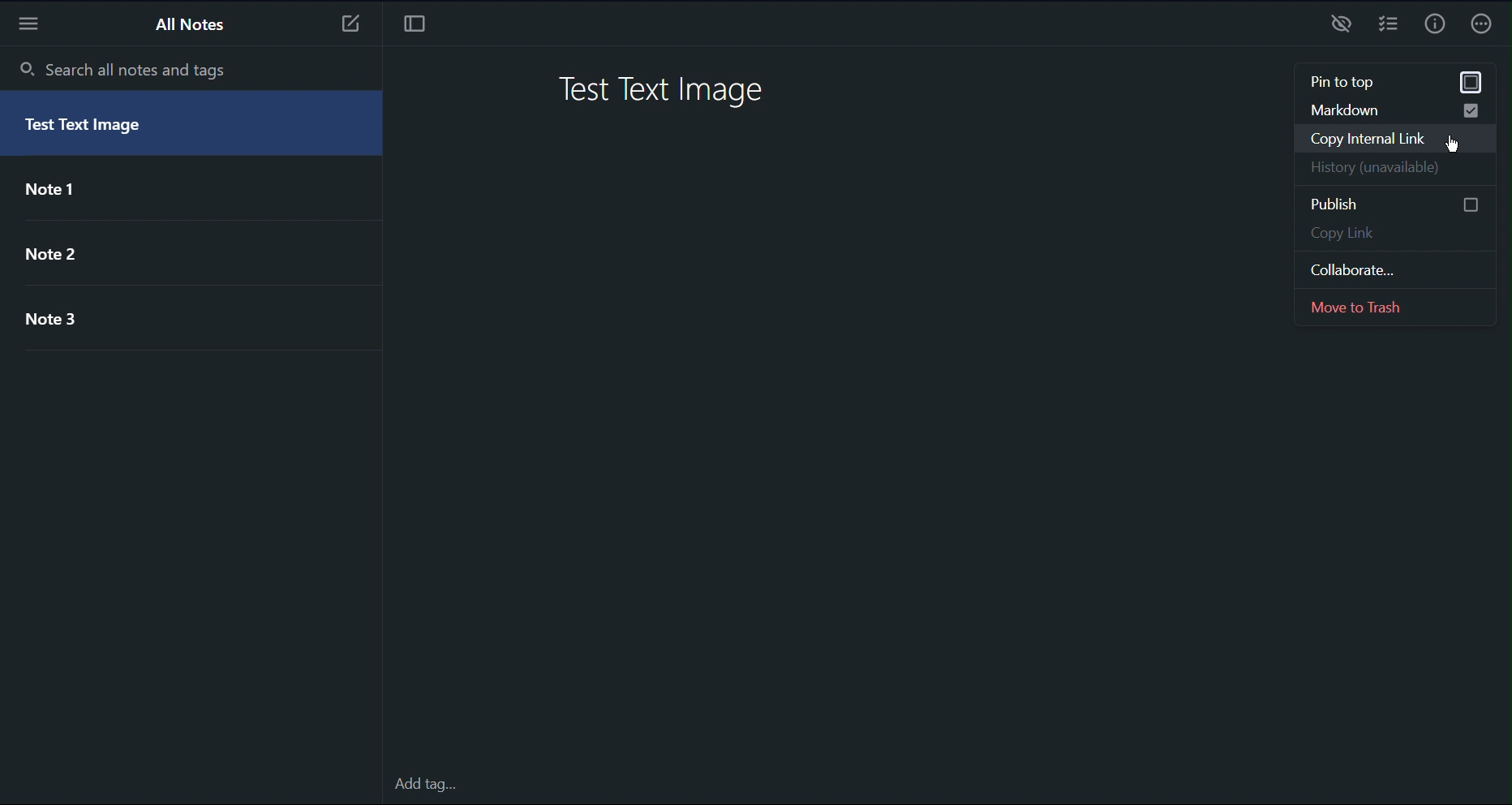 The width and height of the screenshot is (1512, 805). What do you see at coordinates (123, 68) in the screenshot?
I see `Search all notes and tags` at bounding box center [123, 68].